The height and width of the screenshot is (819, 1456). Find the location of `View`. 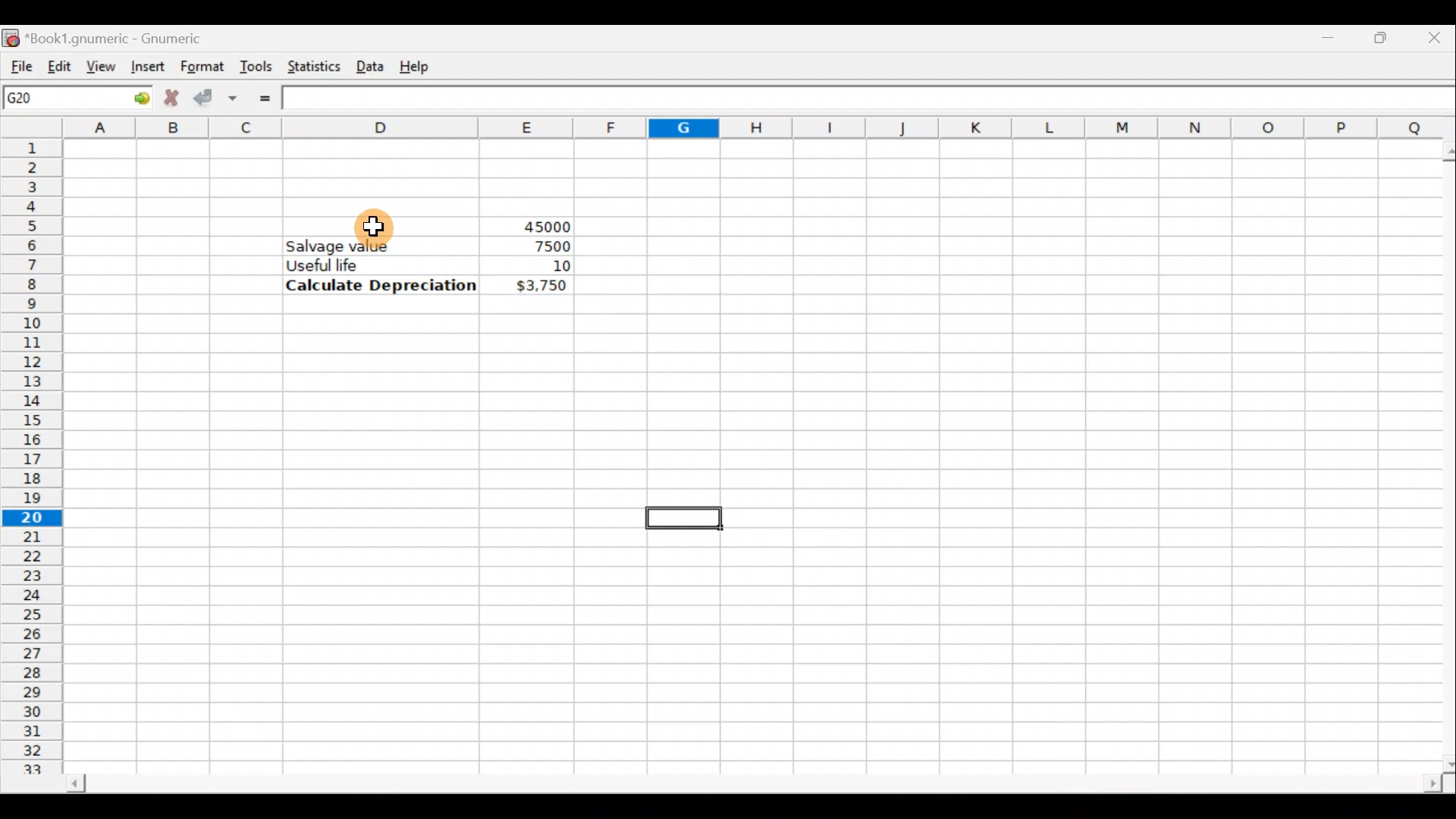

View is located at coordinates (101, 66).